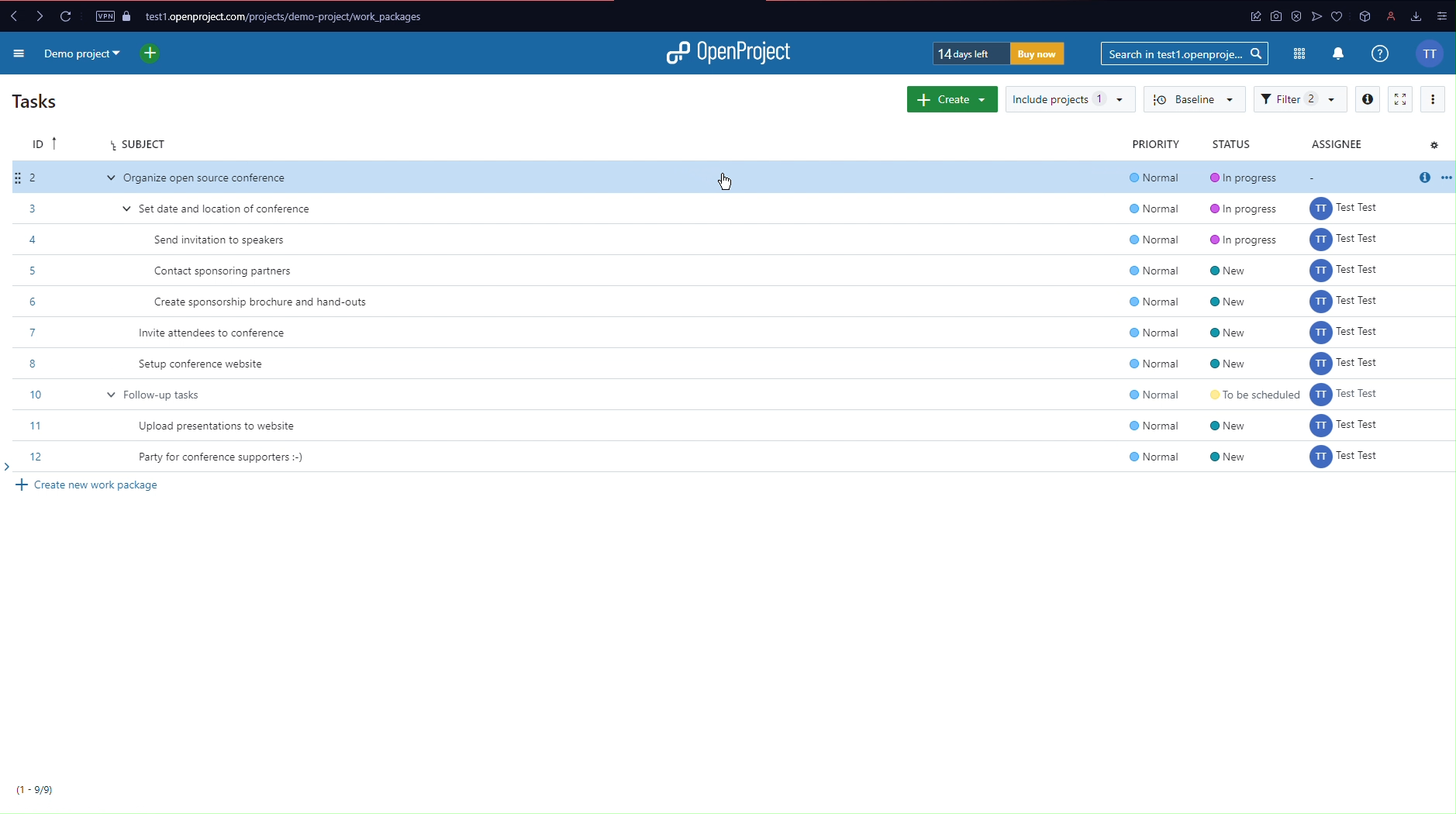  What do you see at coordinates (1299, 56) in the screenshot?
I see `Modules` at bounding box center [1299, 56].